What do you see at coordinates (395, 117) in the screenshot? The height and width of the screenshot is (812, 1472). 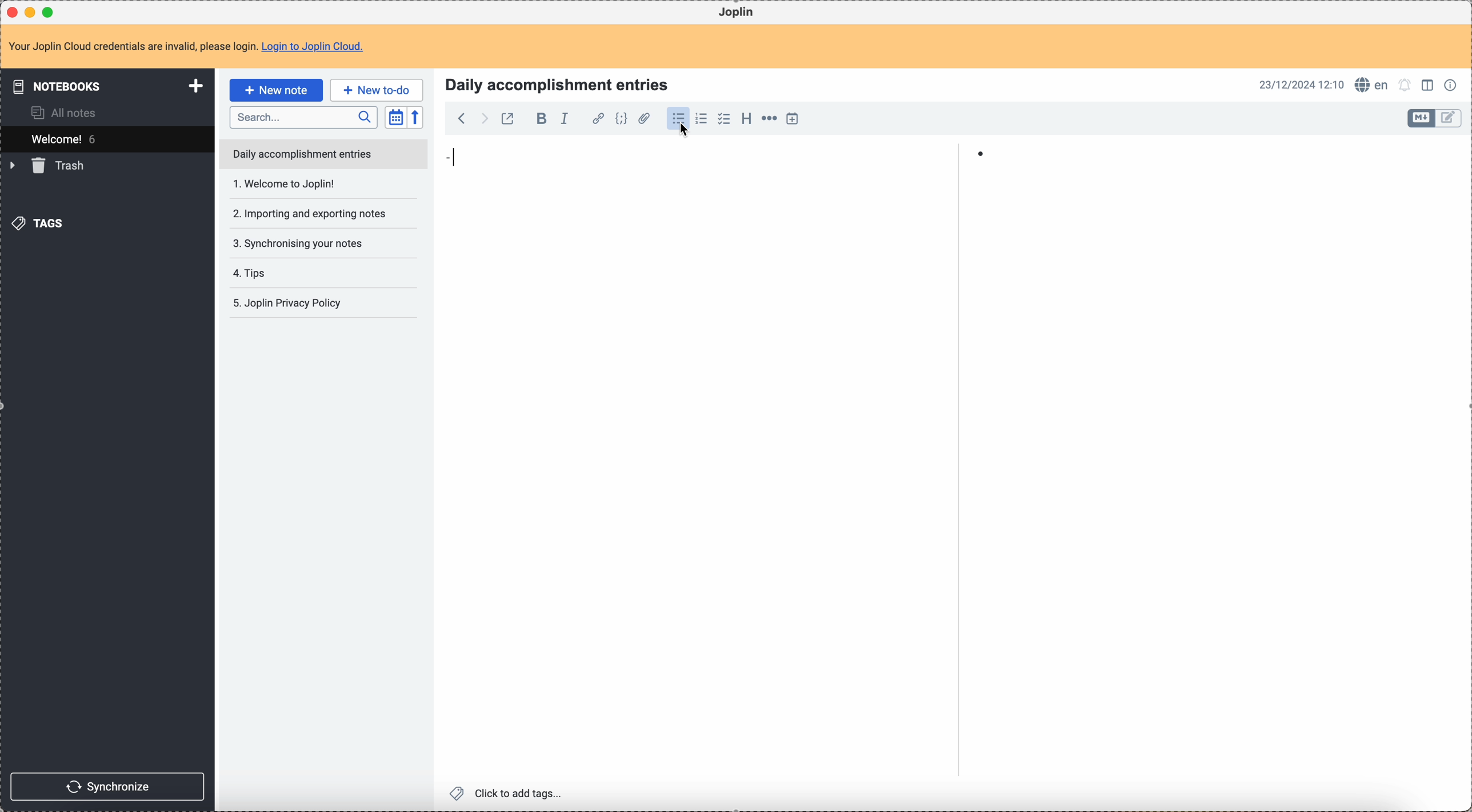 I see `toggle sort order field` at bounding box center [395, 117].